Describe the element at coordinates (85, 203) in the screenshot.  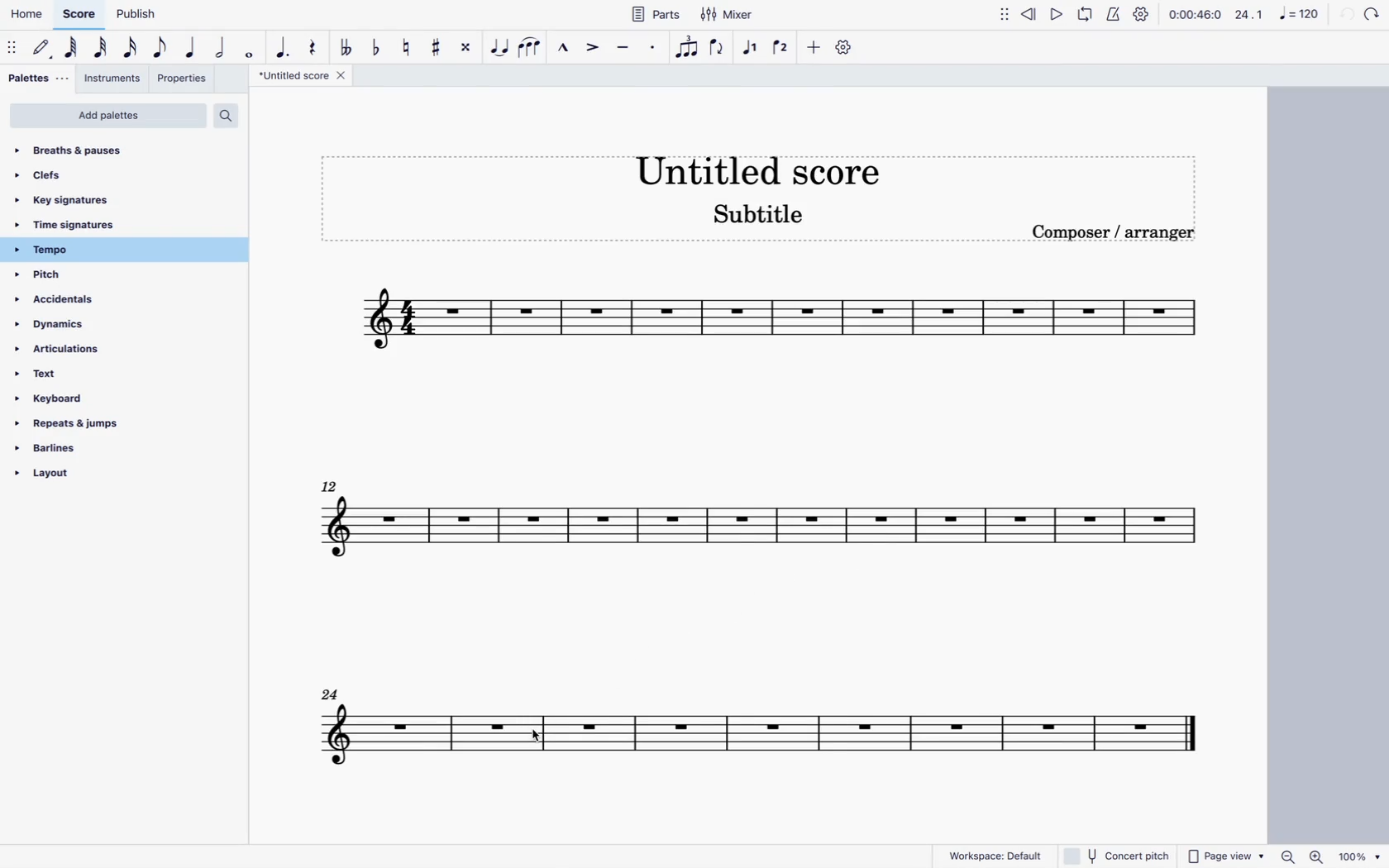
I see `key signatures` at that location.